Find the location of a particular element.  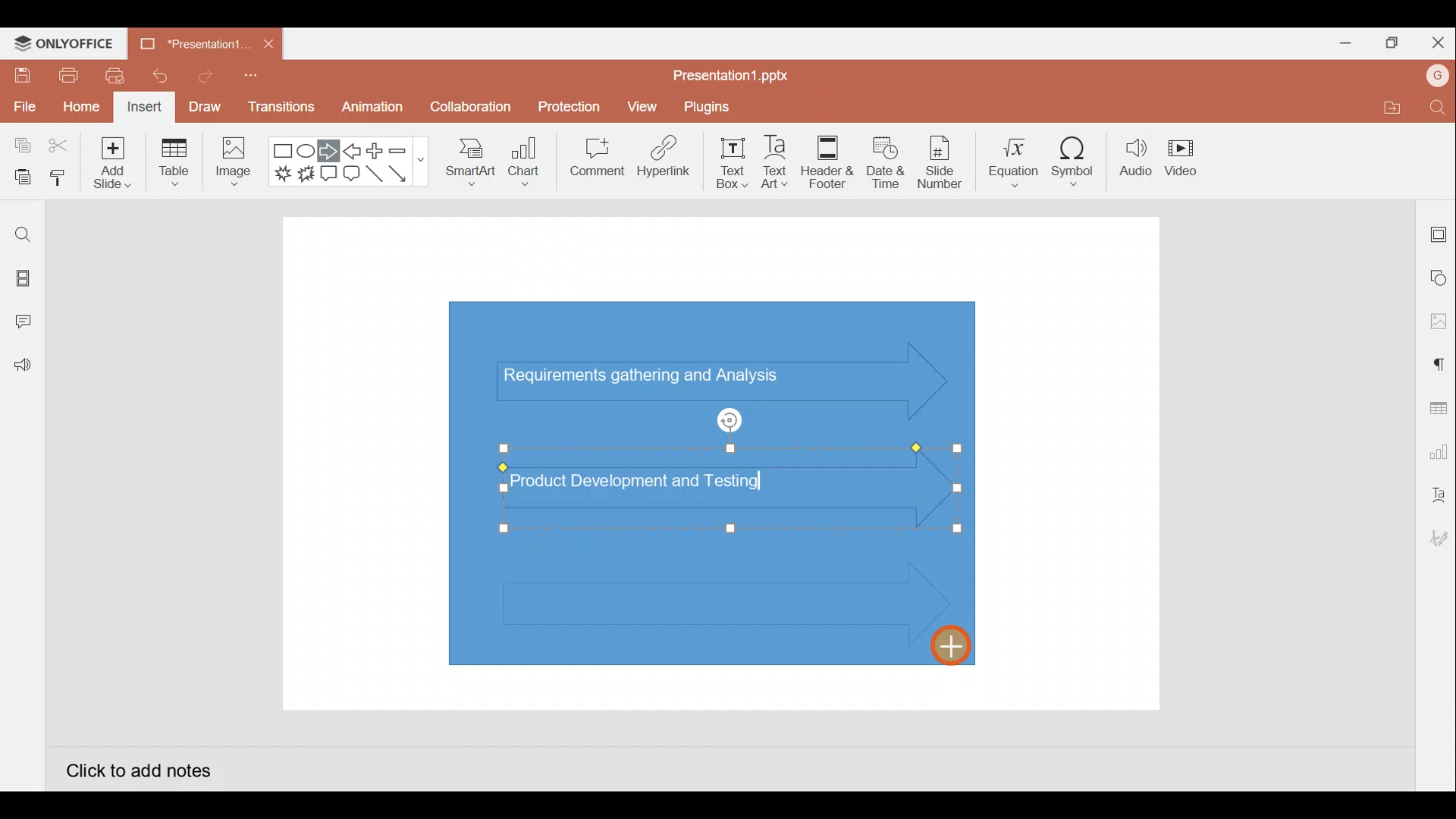

Table settings is located at coordinates (1435, 406).